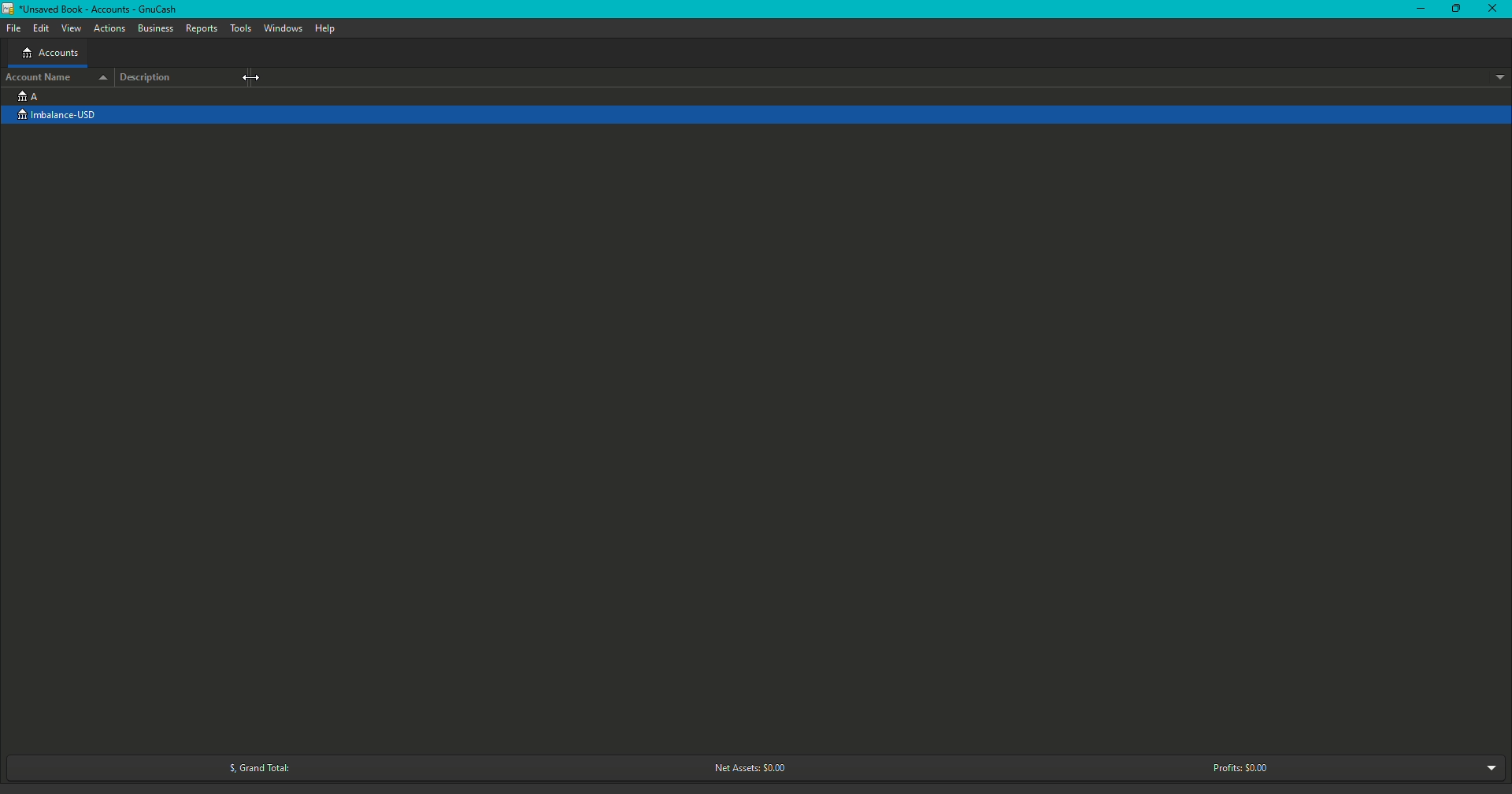 This screenshot has width=1512, height=794. Describe the element at coordinates (150, 77) in the screenshot. I see `Description` at that location.